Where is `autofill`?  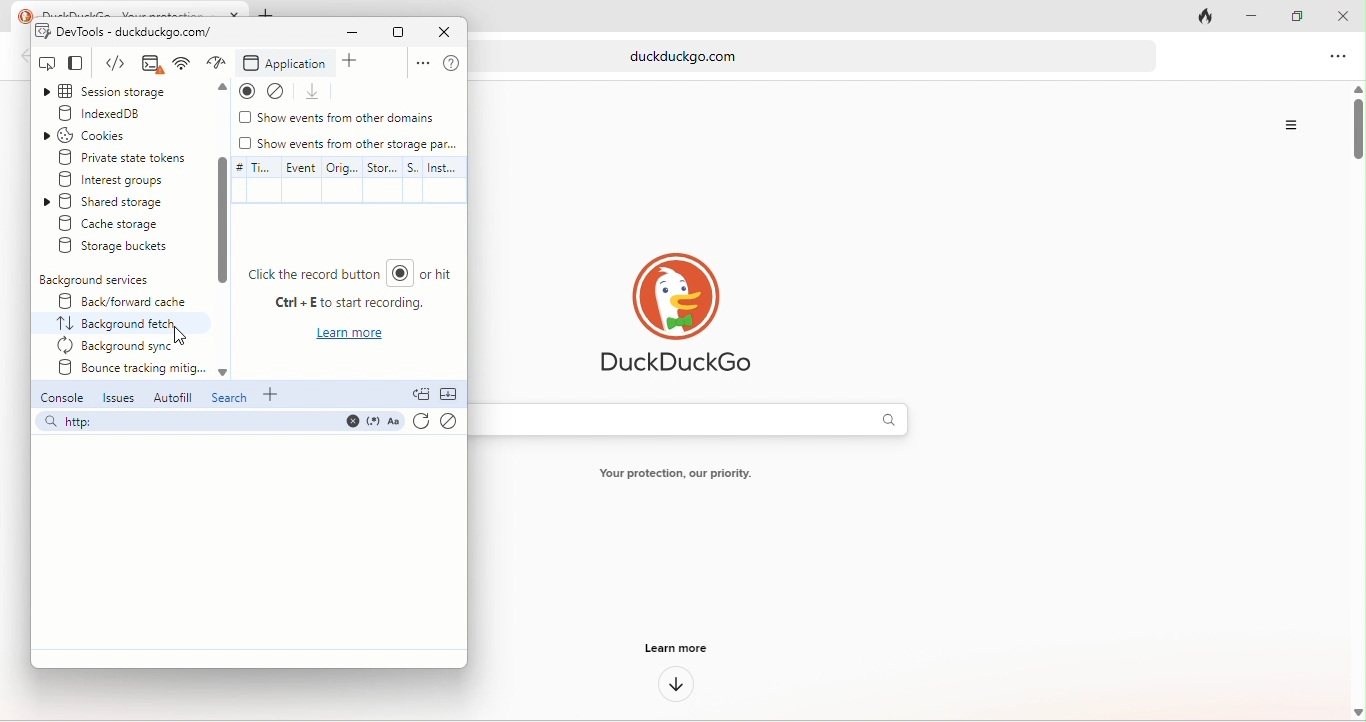
autofill is located at coordinates (170, 397).